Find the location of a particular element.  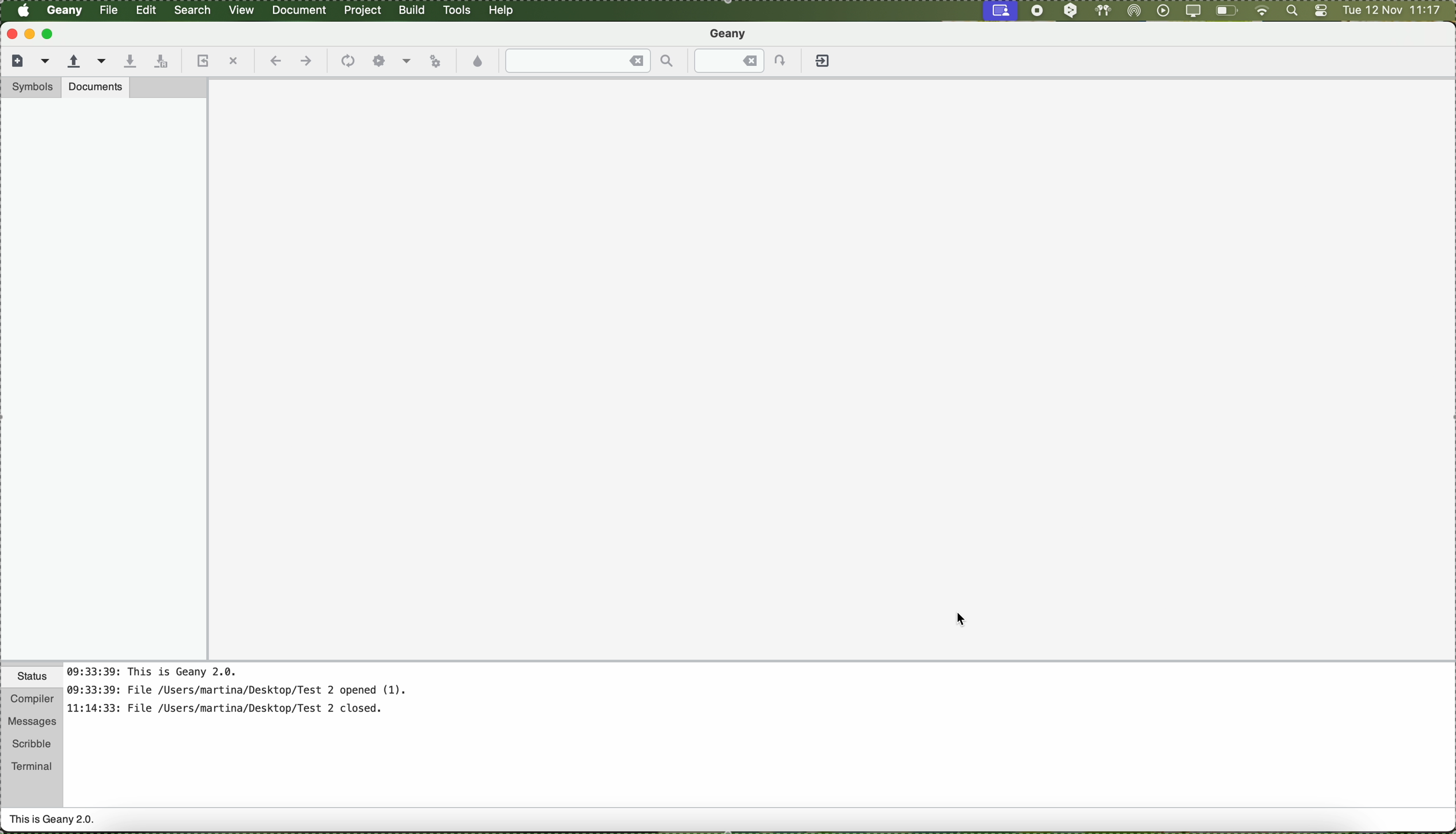

save the current file is located at coordinates (129, 62).